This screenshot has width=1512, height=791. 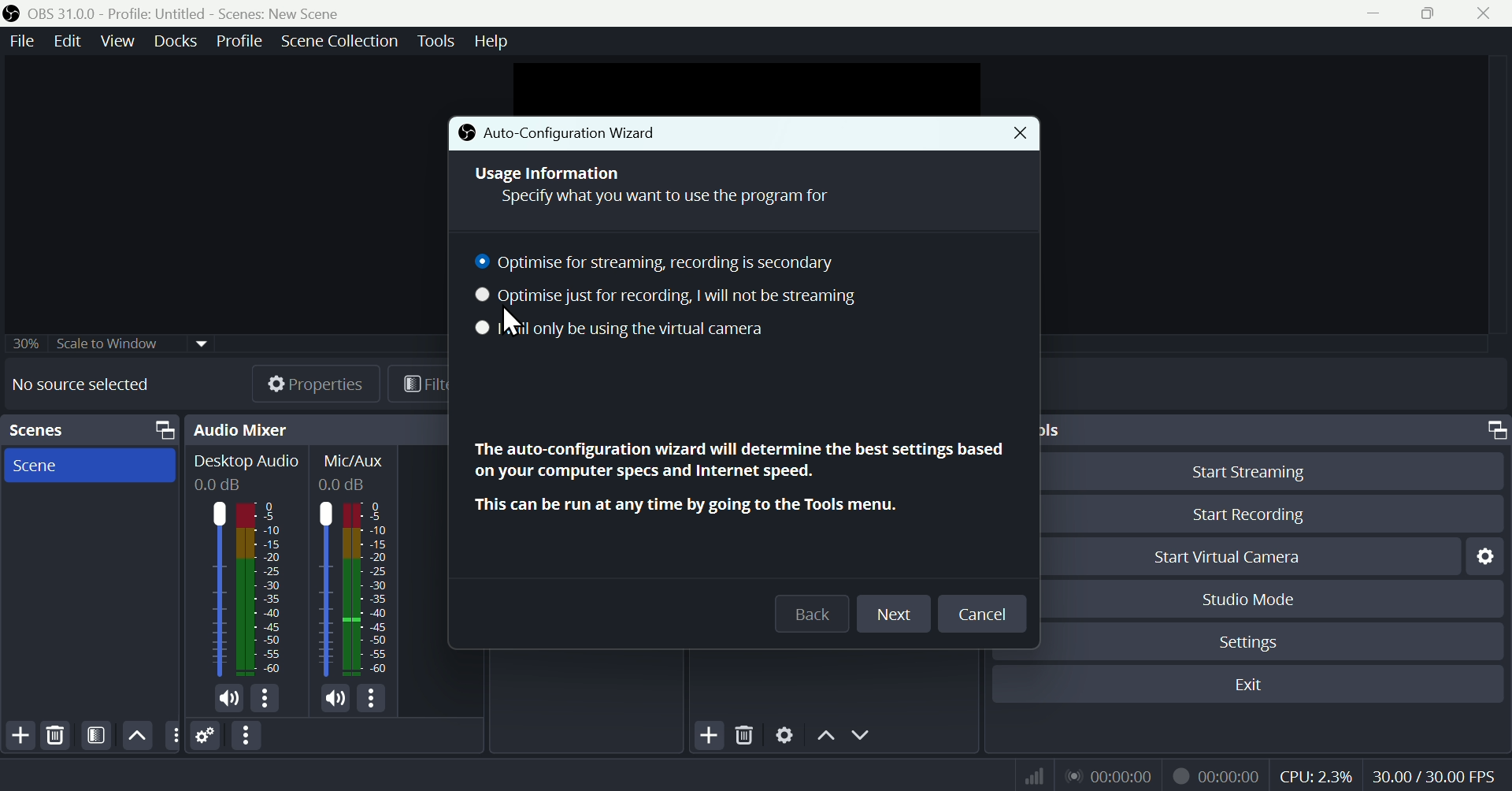 I want to click on Video recorder, so click(x=1215, y=774).